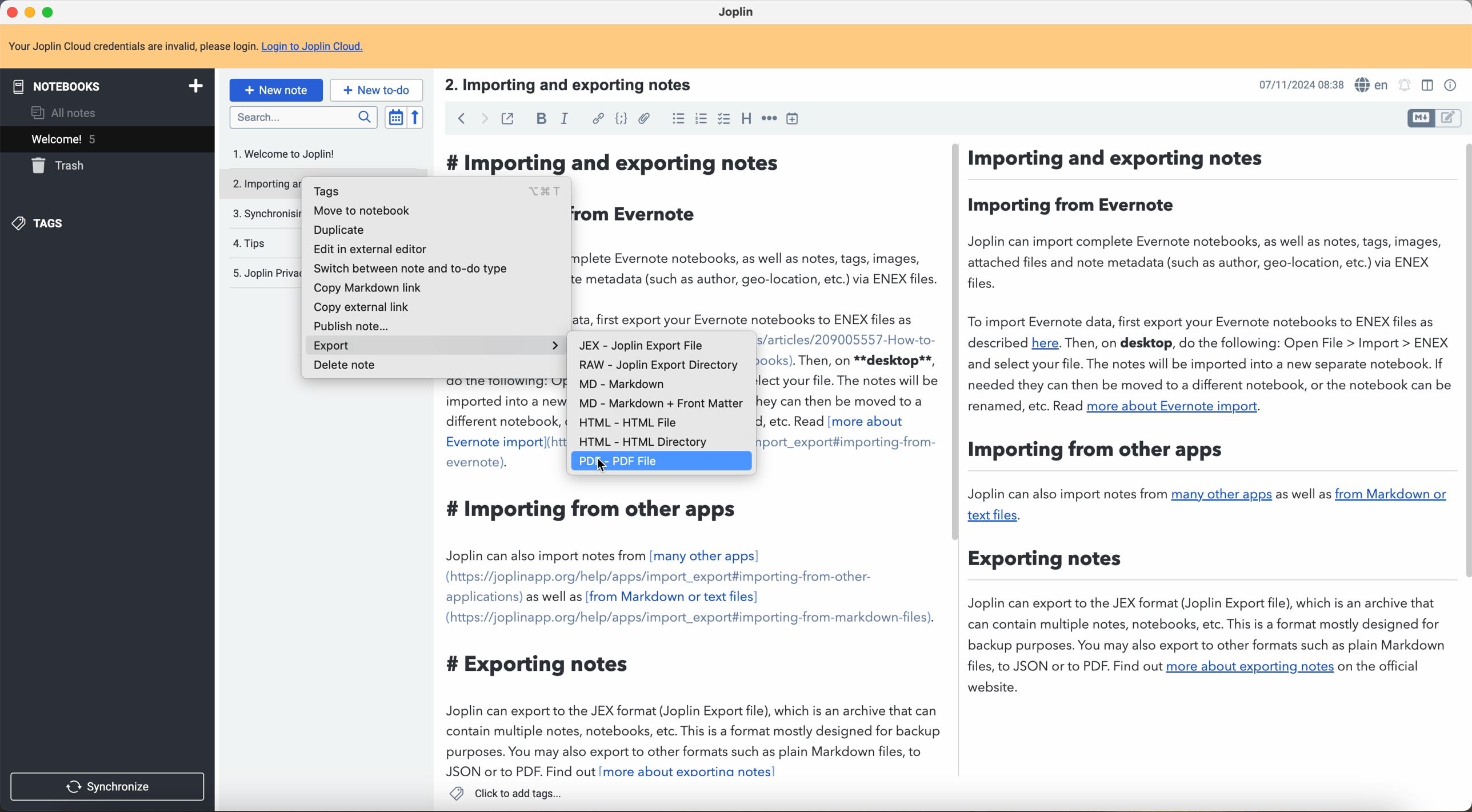  Describe the element at coordinates (597, 119) in the screenshot. I see `hyperlink` at that location.